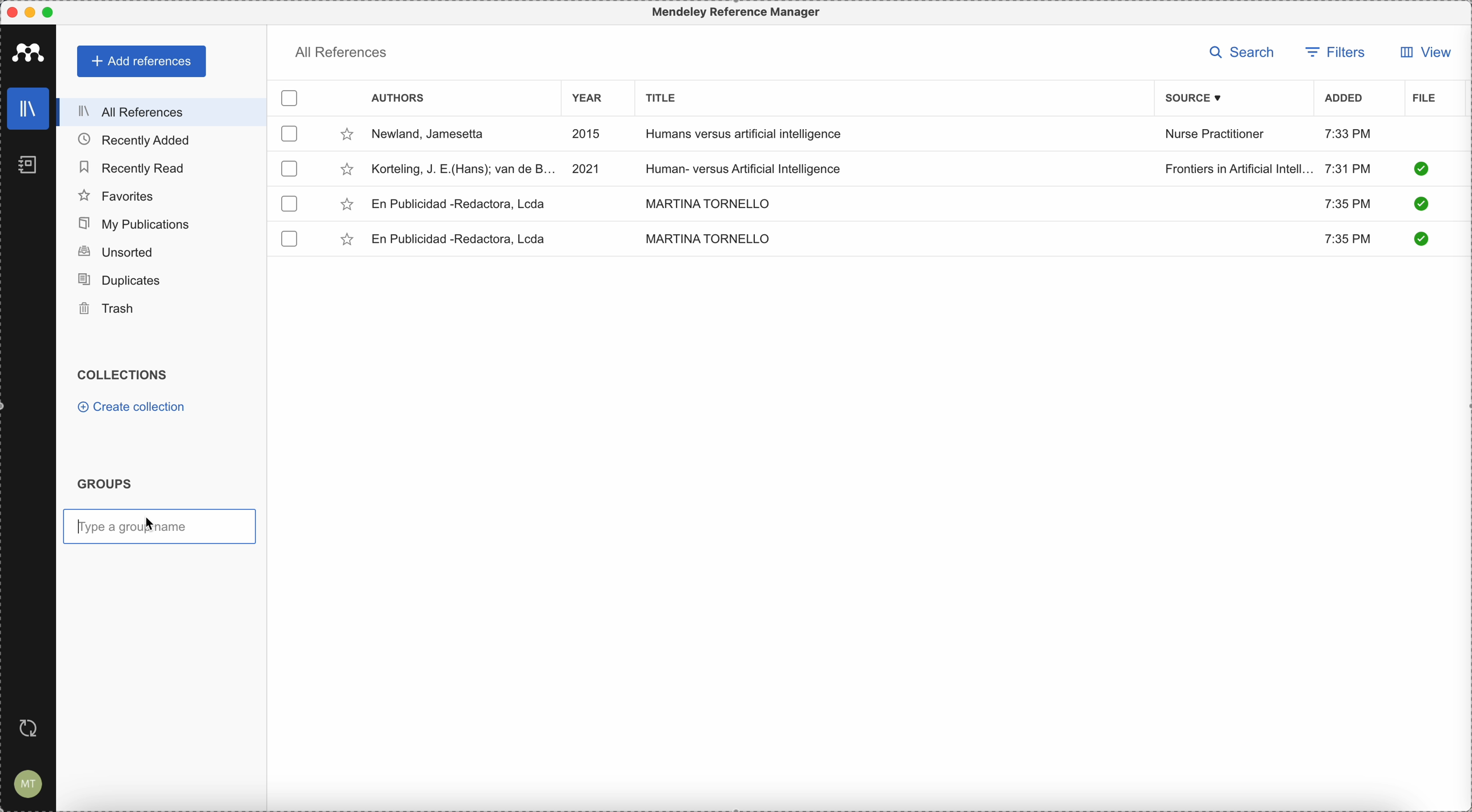 The width and height of the screenshot is (1472, 812). I want to click on favorite, so click(347, 171).